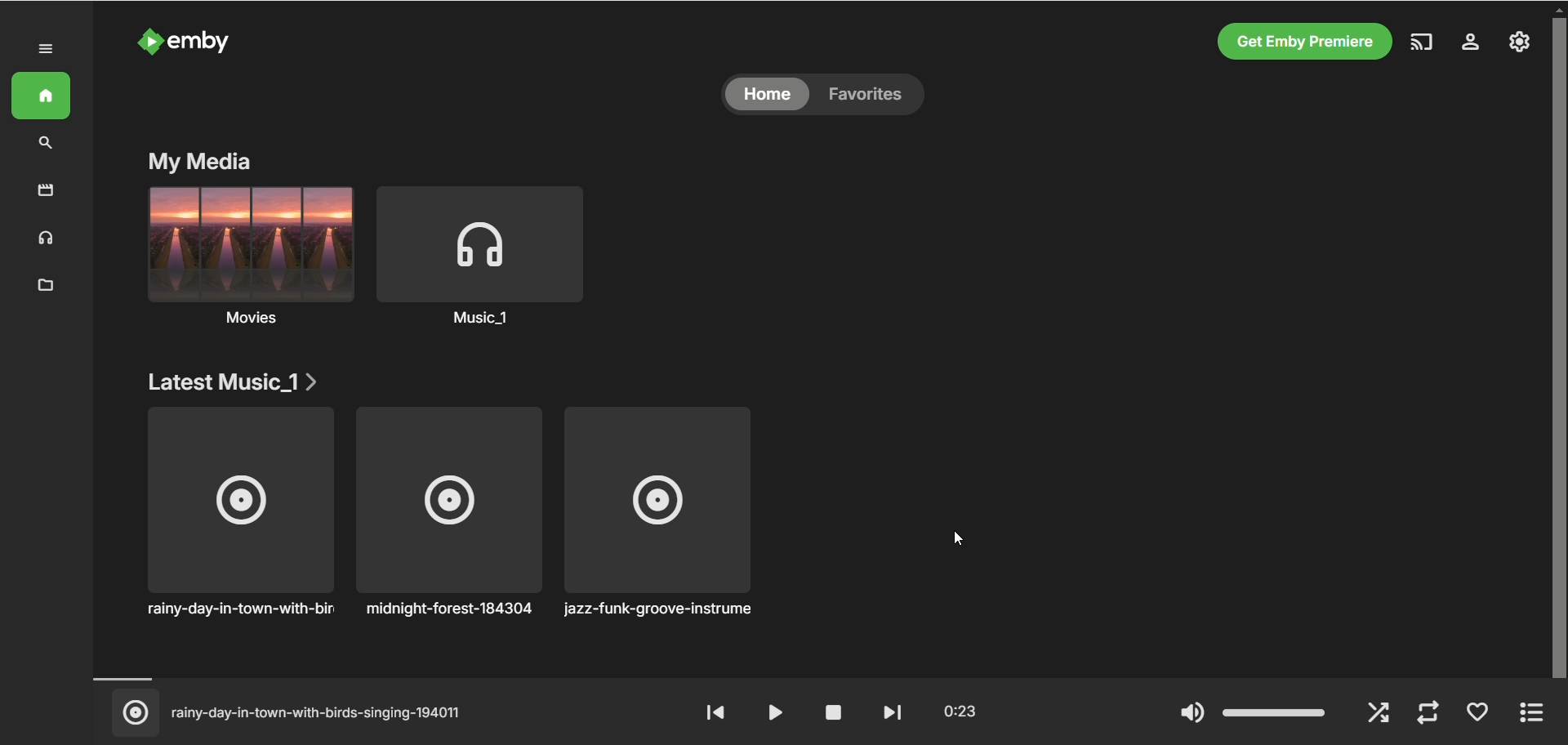 This screenshot has width=1568, height=745. Describe the element at coordinates (765, 94) in the screenshot. I see `home` at that location.